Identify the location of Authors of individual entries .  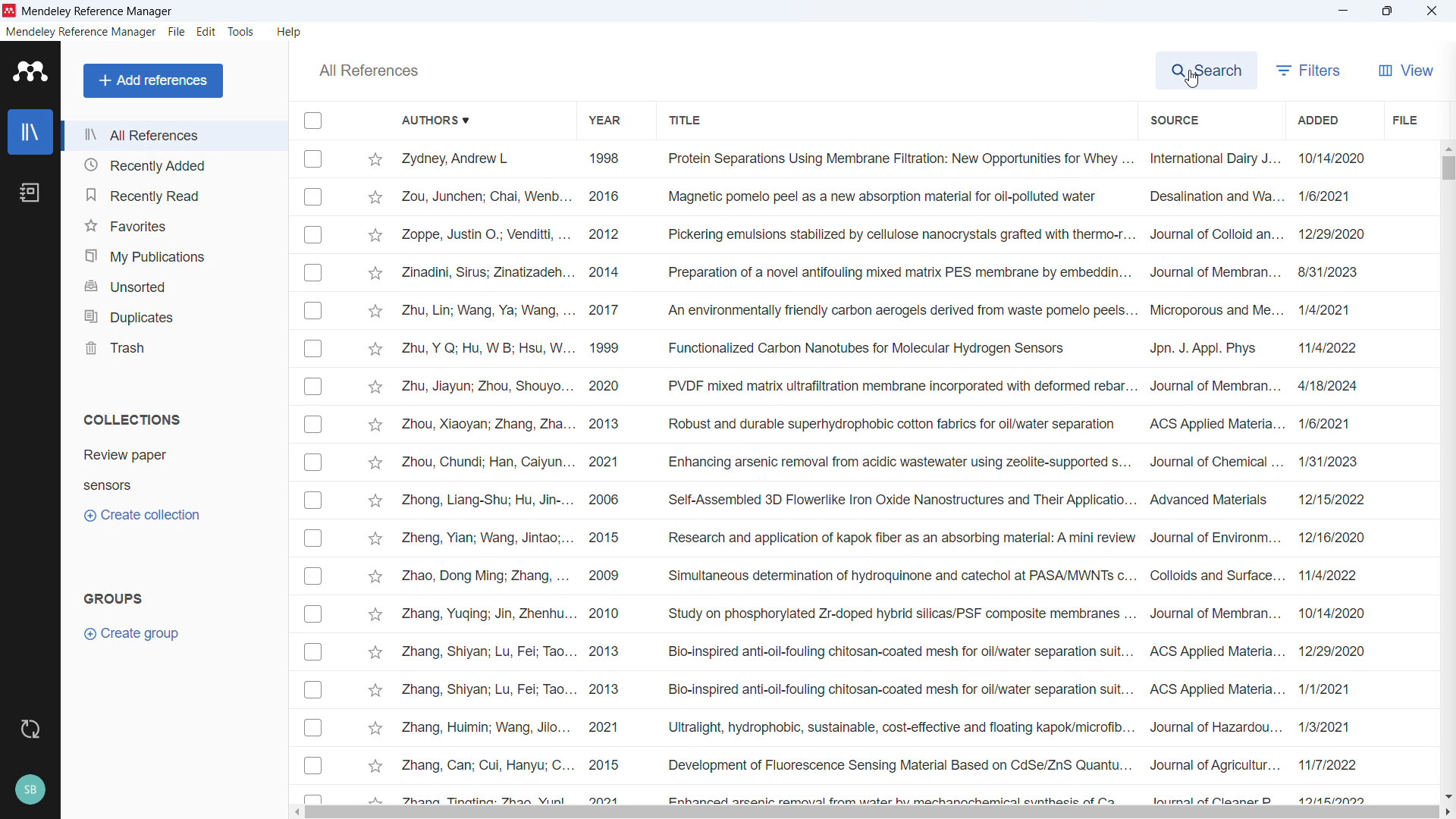
(488, 475).